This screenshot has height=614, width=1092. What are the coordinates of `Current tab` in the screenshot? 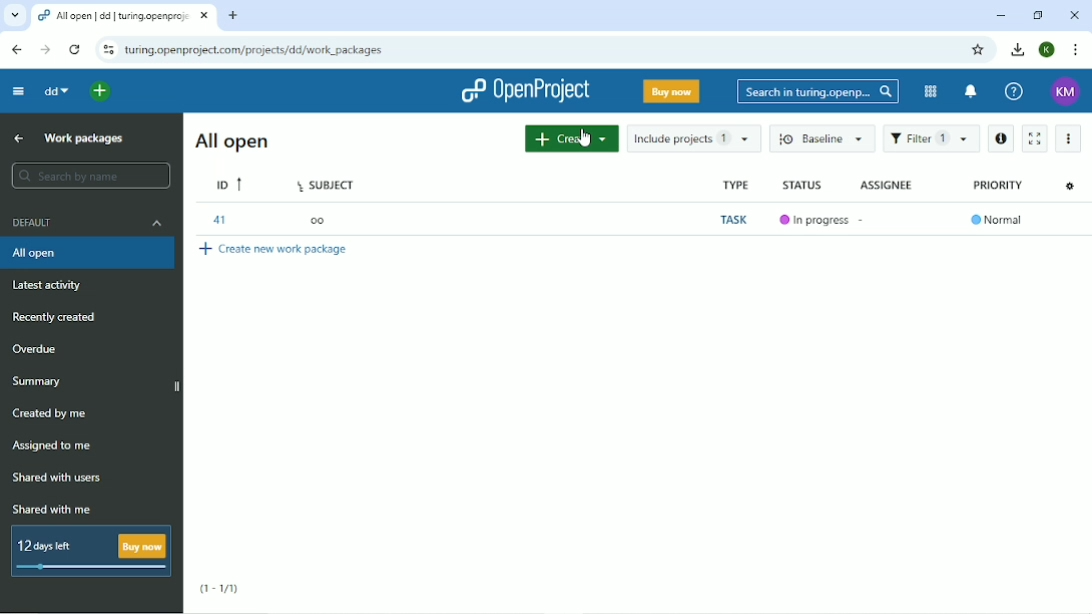 It's located at (124, 16).